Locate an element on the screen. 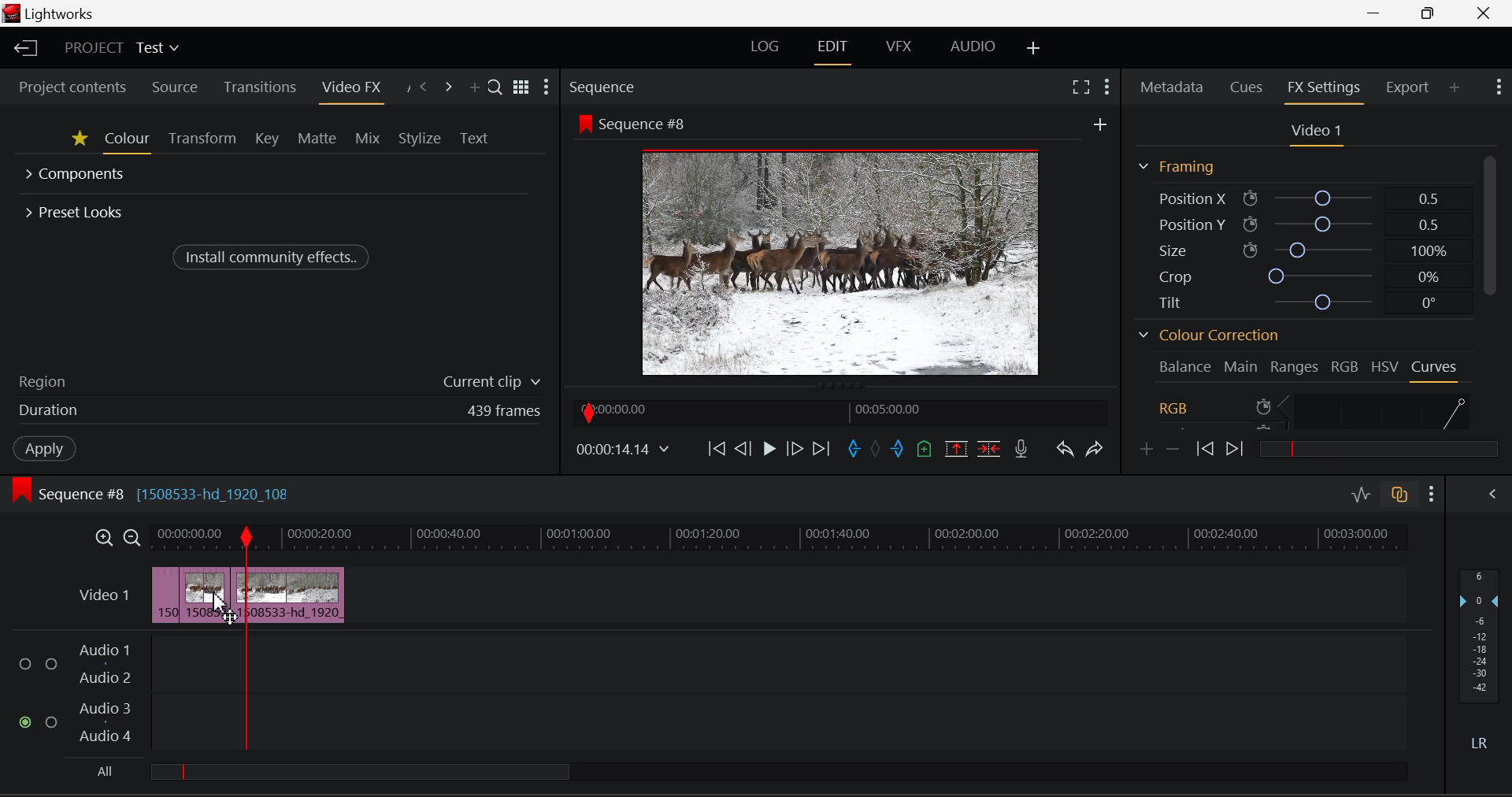 The width and height of the screenshot is (1512, 797). Project contents is located at coordinates (72, 87).